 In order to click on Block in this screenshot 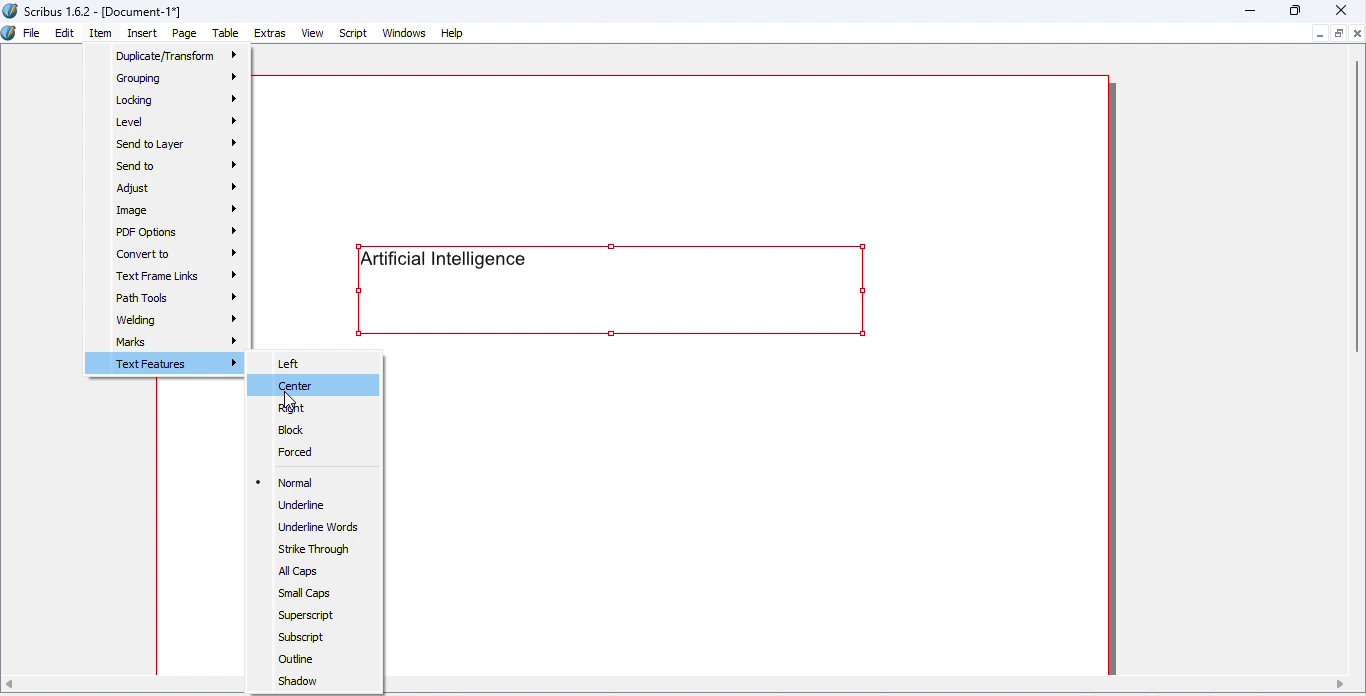, I will do `click(296, 430)`.